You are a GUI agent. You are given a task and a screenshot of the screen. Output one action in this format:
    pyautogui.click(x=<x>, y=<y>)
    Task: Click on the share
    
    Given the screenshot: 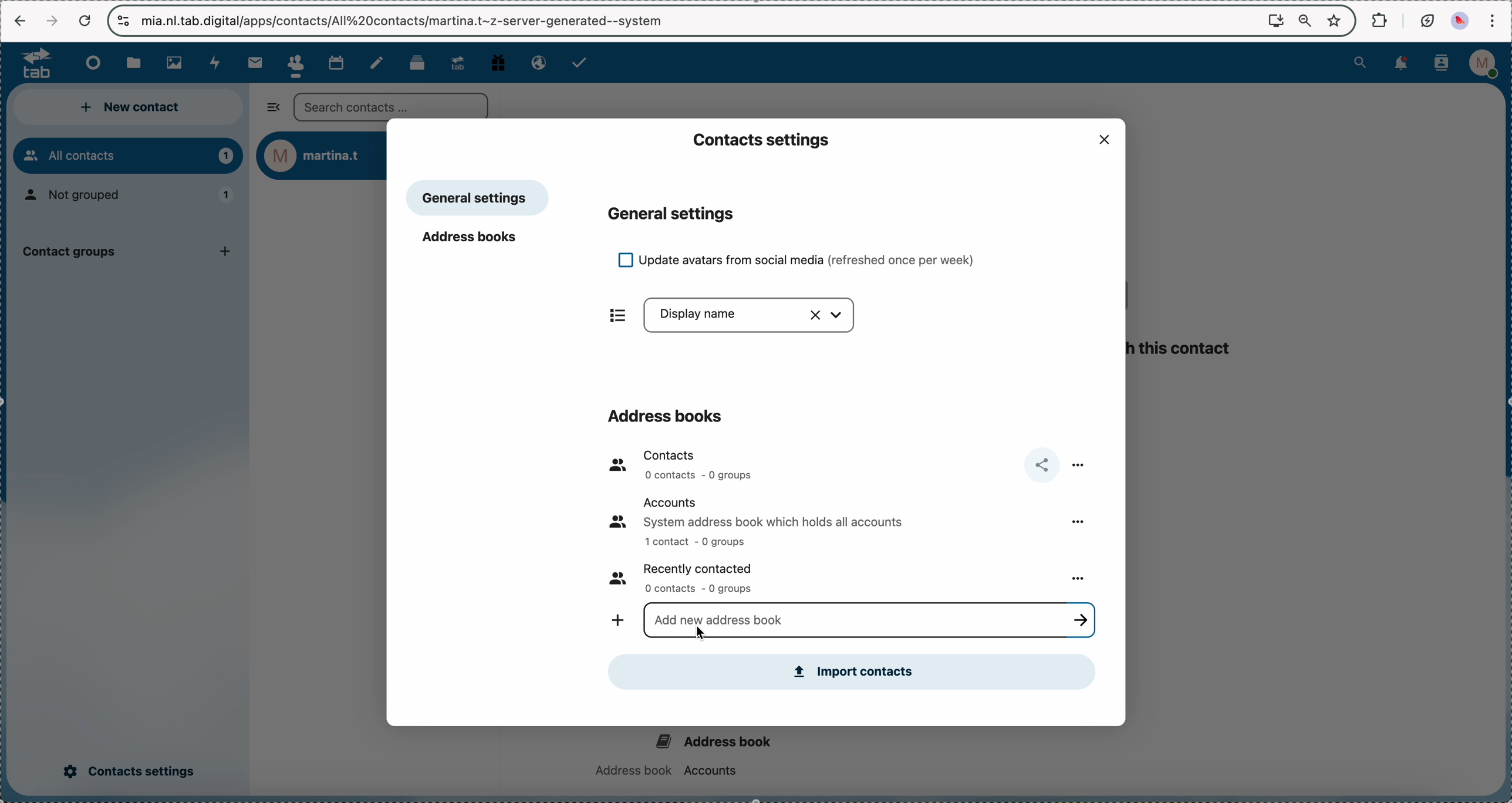 What is the action you would take?
    pyautogui.click(x=1039, y=465)
    